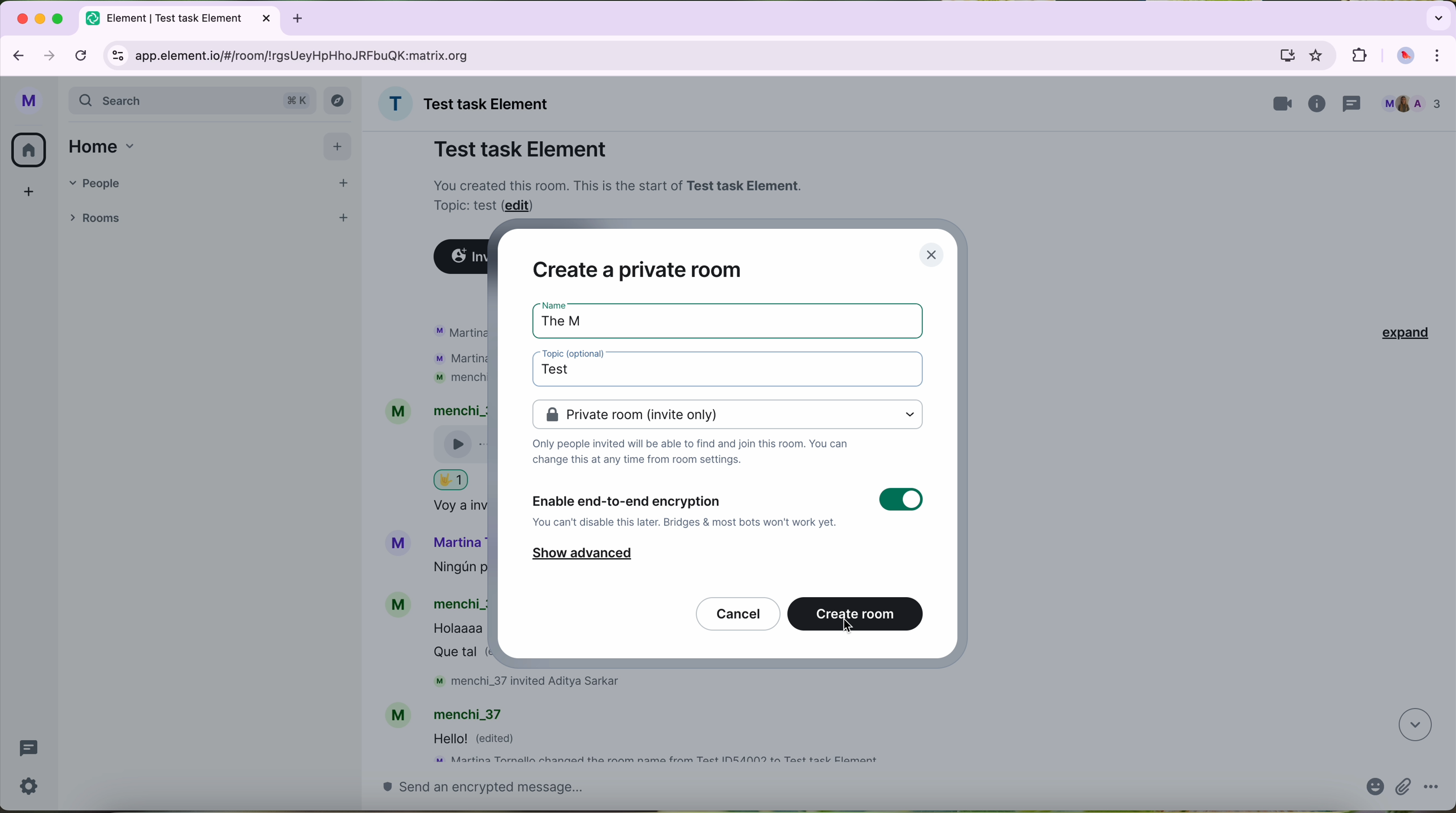  Describe the element at coordinates (738, 613) in the screenshot. I see `cancel button` at that location.